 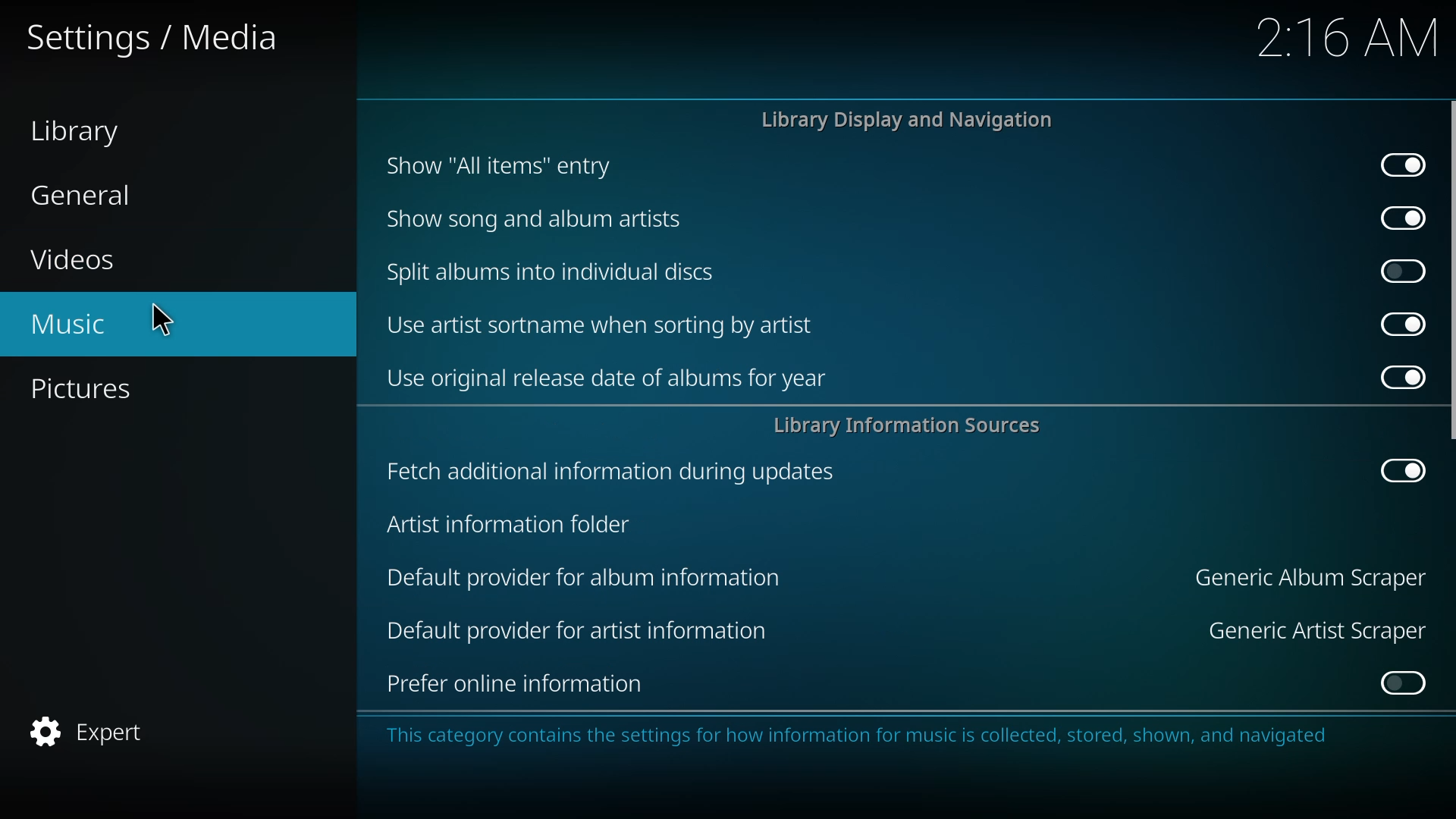 What do you see at coordinates (867, 736) in the screenshot?
I see `info` at bounding box center [867, 736].